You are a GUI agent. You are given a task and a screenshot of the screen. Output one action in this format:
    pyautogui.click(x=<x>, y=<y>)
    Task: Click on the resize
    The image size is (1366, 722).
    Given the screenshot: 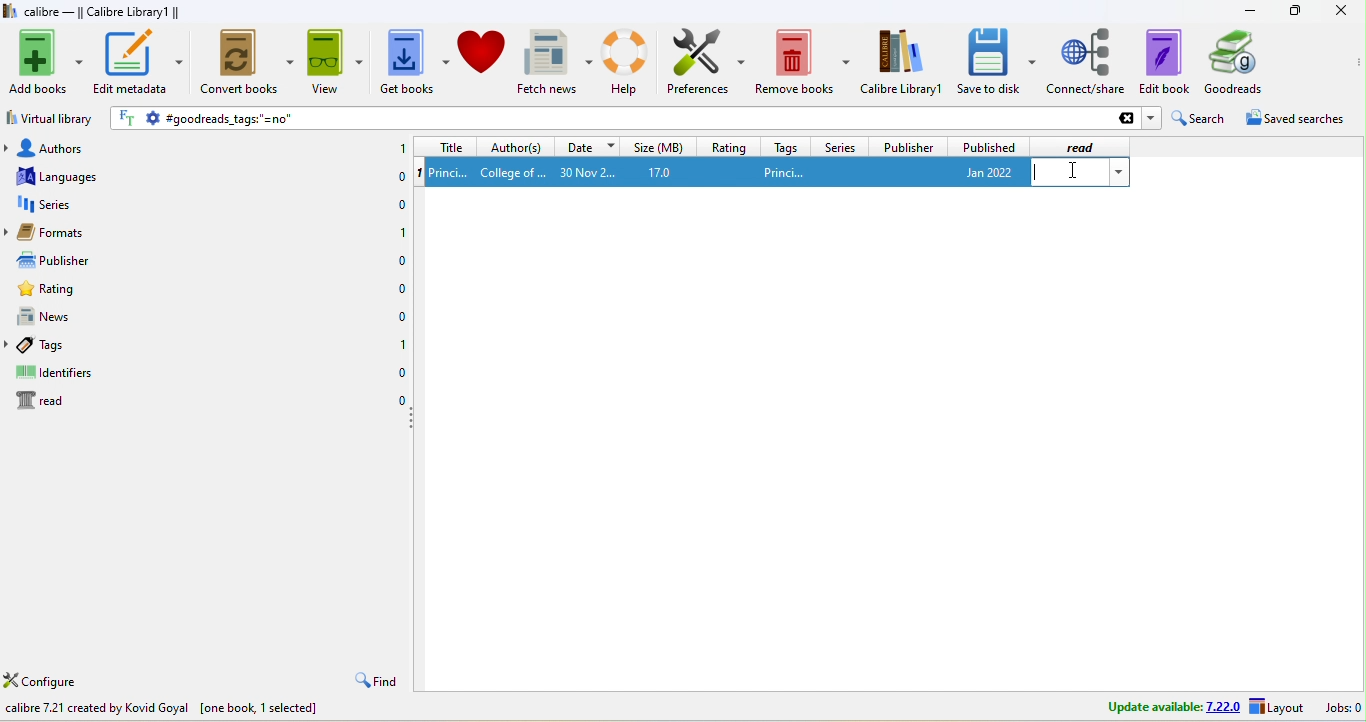 What is the action you would take?
    pyautogui.click(x=1294, y=10)
    